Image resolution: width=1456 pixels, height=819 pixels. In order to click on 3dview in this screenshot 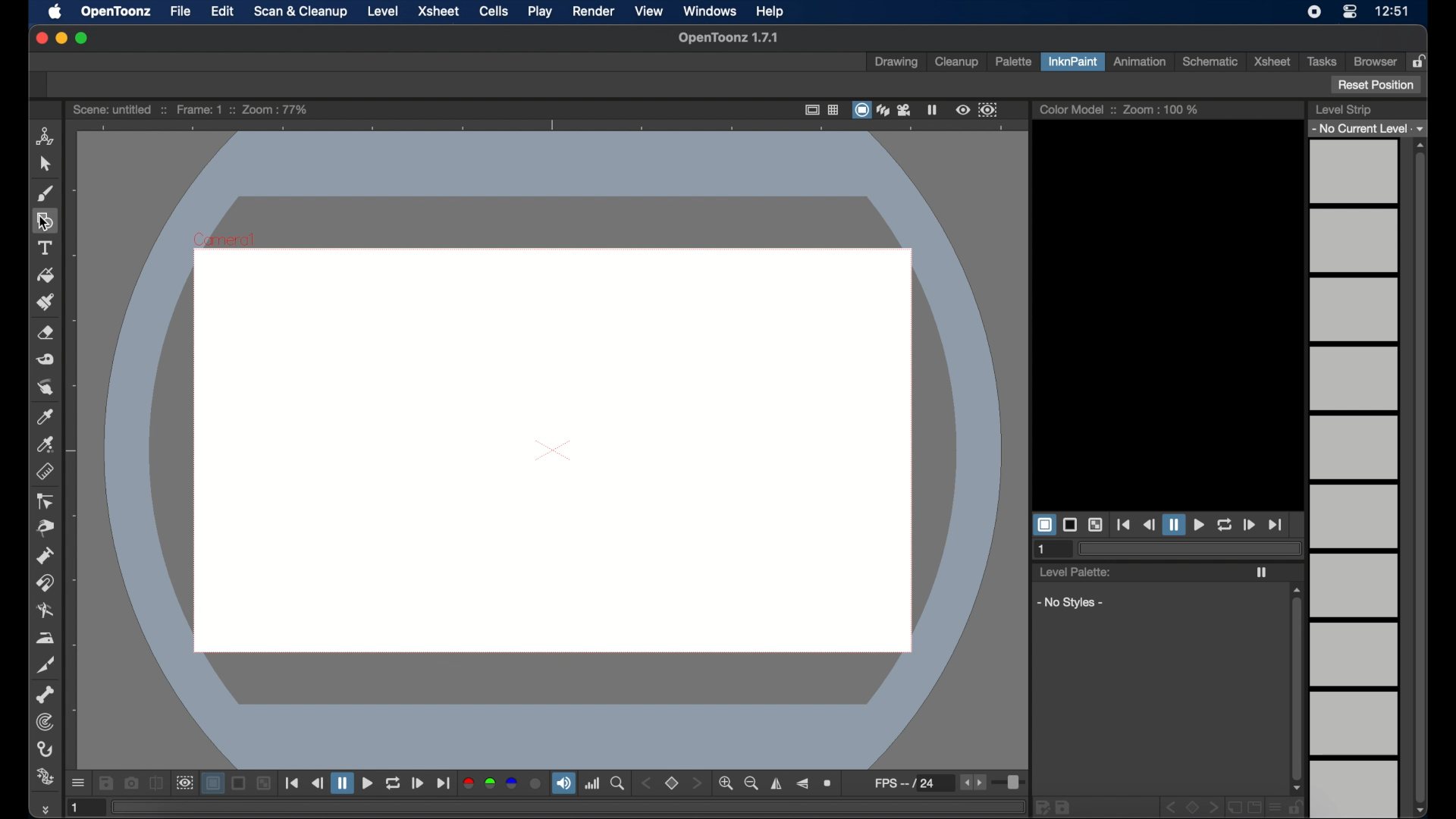, I will do `click(884, 111)`.